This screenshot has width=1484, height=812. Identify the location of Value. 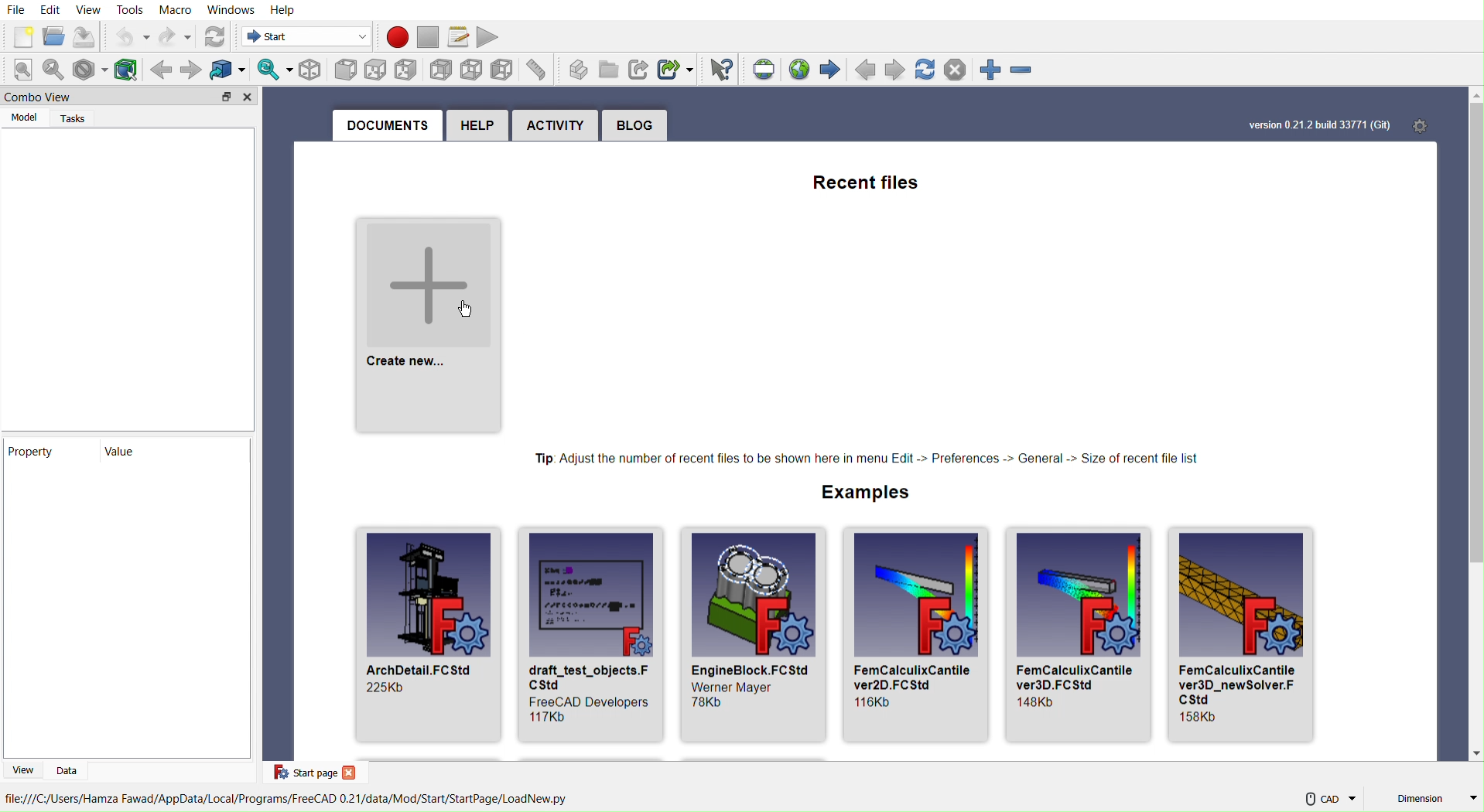
(134, 453).